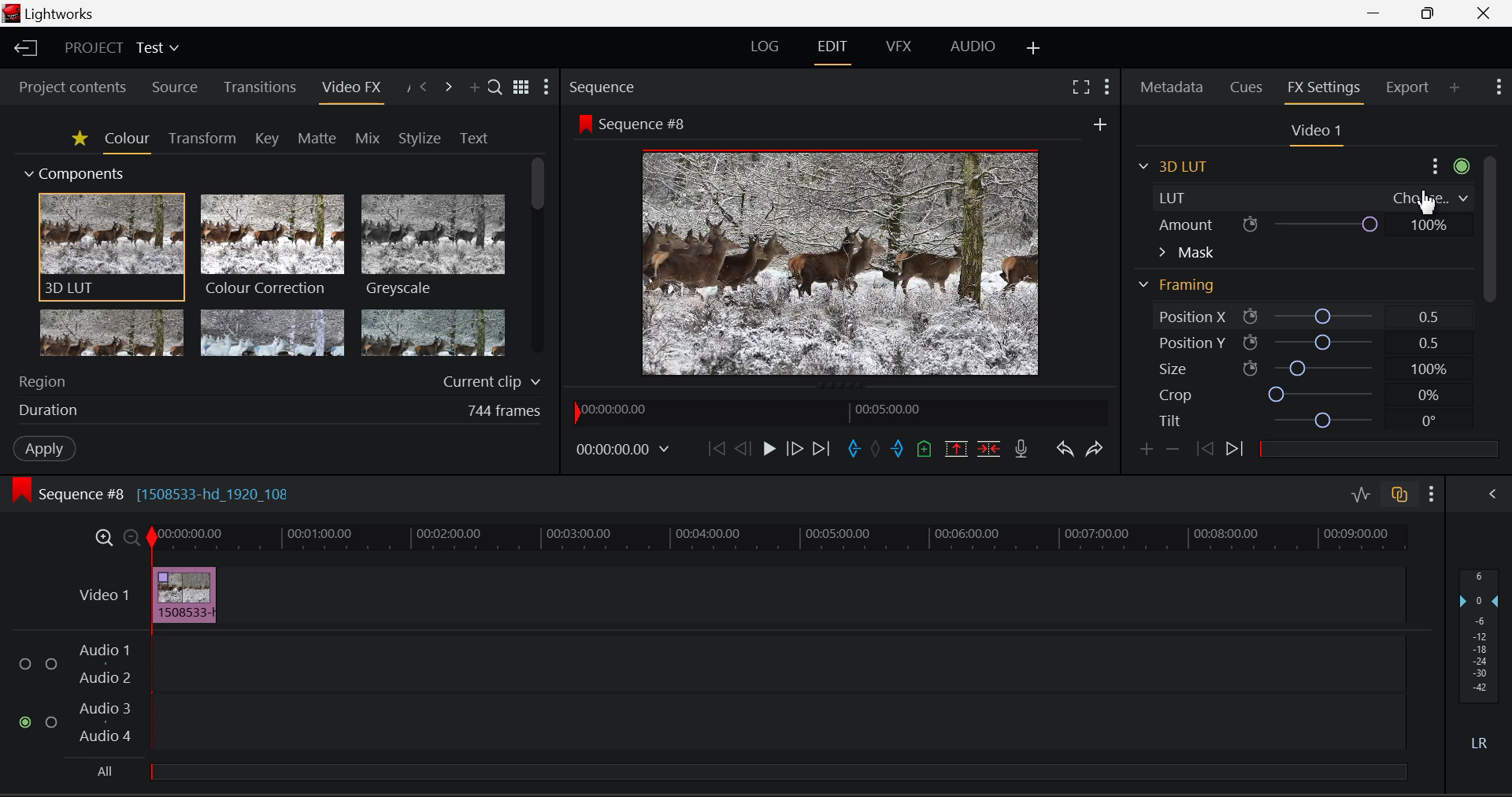  Describe the element at coordinates (991, 449) in the screenshot. I see `Delete/Cut` at that location.